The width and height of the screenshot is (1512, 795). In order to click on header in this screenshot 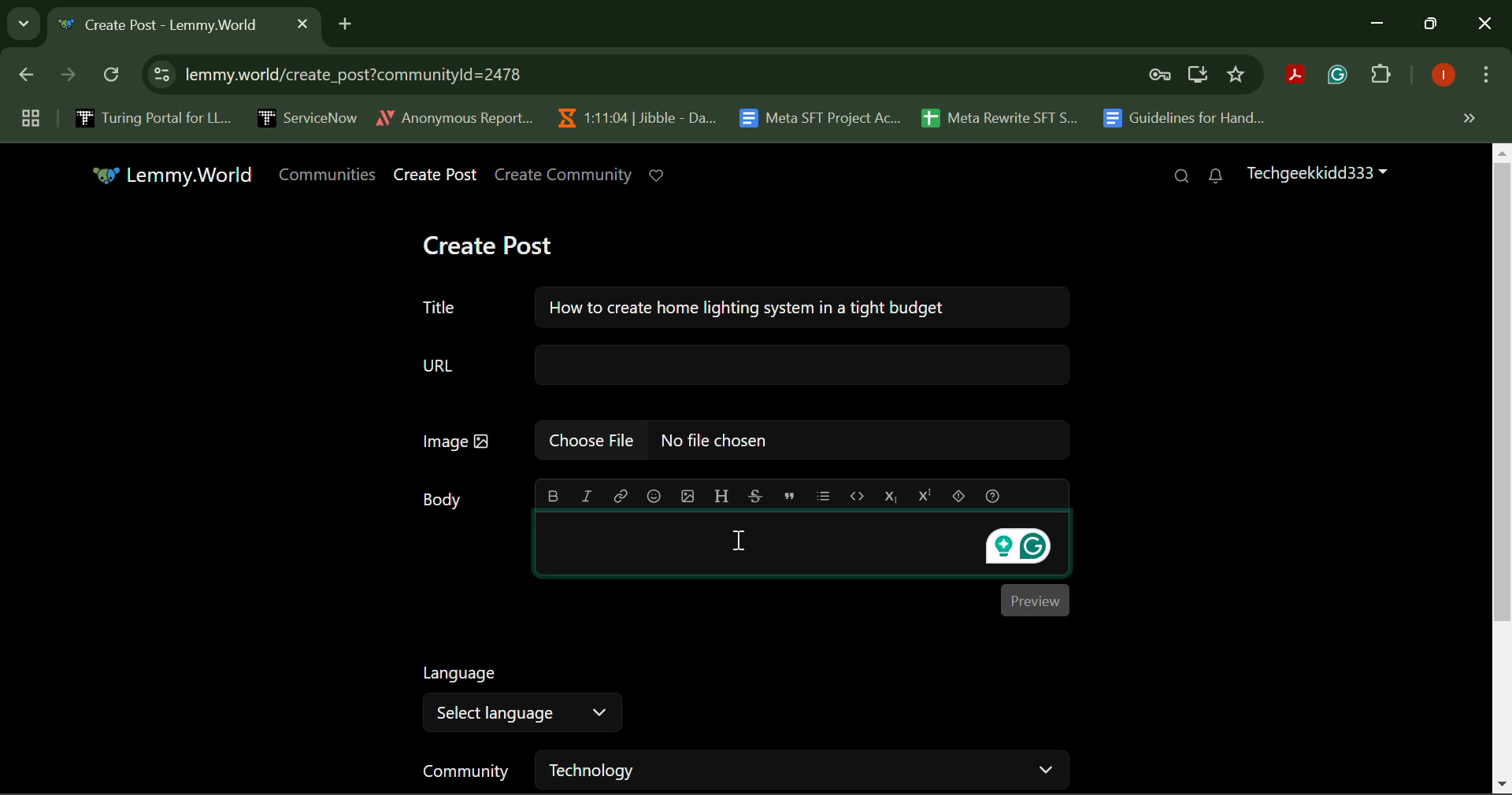, I will do `click(720, 494)`.